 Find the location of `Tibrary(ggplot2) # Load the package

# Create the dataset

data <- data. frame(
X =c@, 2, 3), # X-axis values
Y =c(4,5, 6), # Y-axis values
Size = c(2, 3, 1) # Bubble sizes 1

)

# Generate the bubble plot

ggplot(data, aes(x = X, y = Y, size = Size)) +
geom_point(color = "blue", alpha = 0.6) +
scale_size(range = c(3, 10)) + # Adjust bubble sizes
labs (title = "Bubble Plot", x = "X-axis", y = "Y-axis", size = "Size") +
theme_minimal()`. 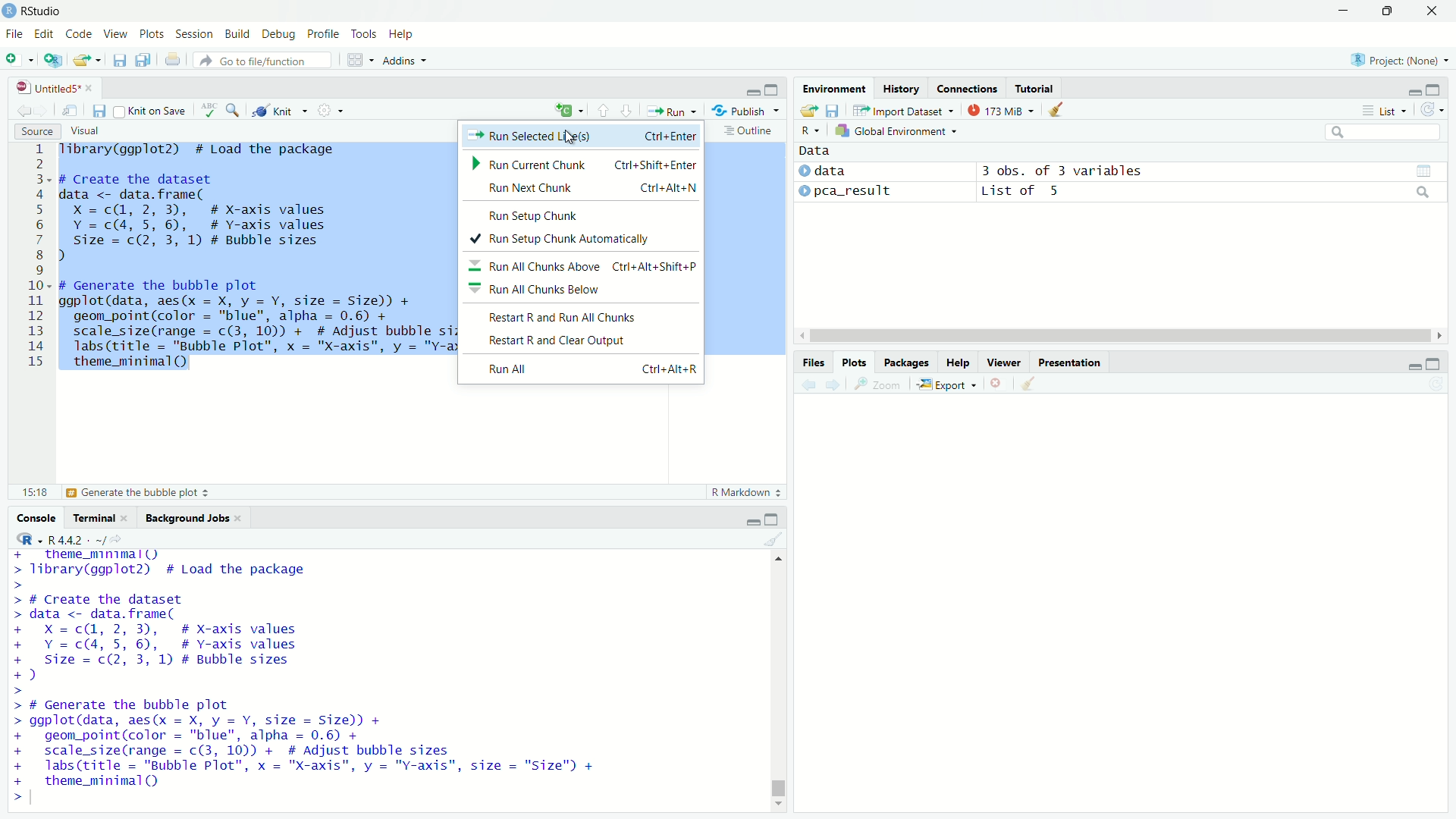

Tibrary(ggplot2) # Load the package

# Create the dataset

data <- data. frame(
X =c@, 2, 3), # X-axis values
Y =c(4,5, 6), # Y-axis values
Size = c(2, 3, 1) # Bubble sizes 1

)

# Generate the bubble plot

ggplot(data, aes(x = X, y = Y, size = Size)) +
geom_point(color = "blue", alpha = 0.6) +
scale_size(range = c(3, 10)) + # Adjust bubble sizes
labs (title = "Bubble Plot", x = "X-axis", y = "Y-axis", size = "Size") +
theme_minimal() is located at coordinates (253, 261).